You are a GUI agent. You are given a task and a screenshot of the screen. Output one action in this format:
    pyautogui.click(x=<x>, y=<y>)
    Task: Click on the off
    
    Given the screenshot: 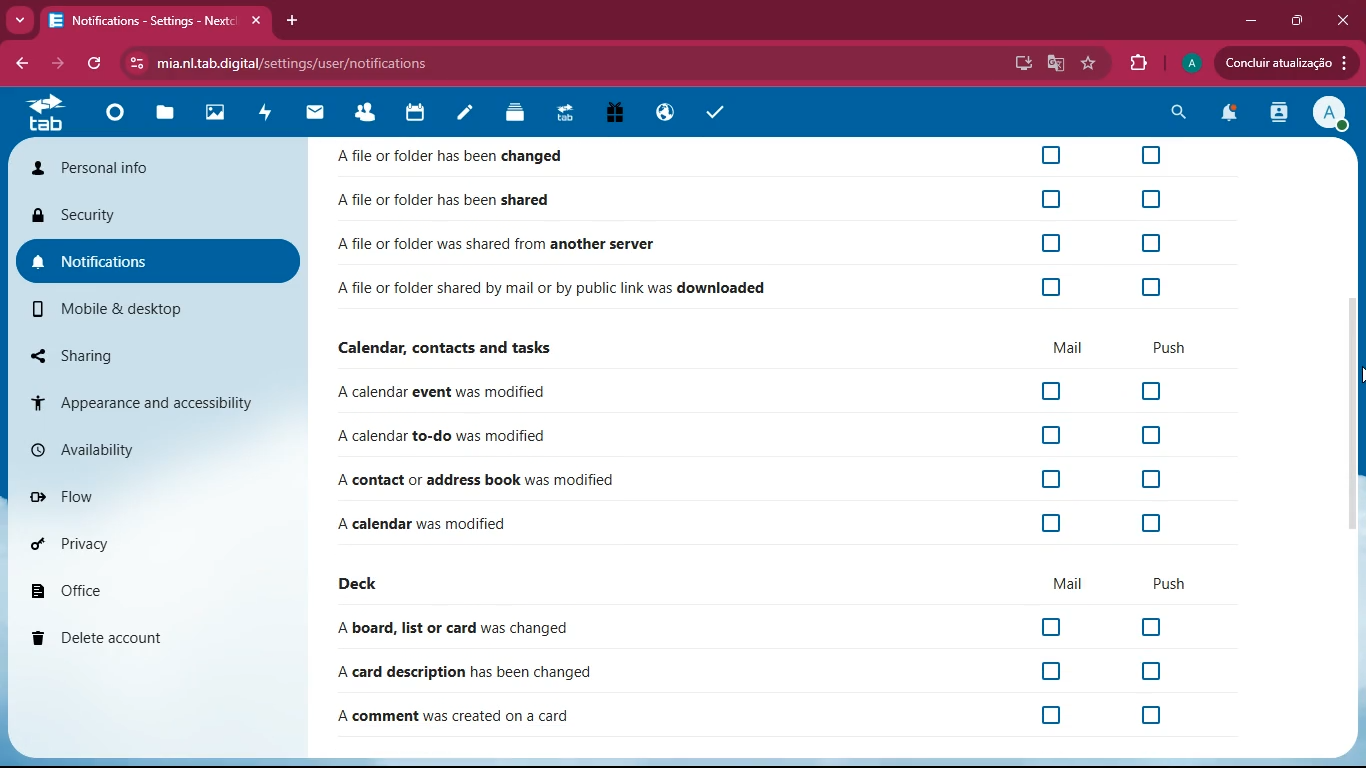 What is the action you would take?
    pyautogui.click(x=1155, y=437)
    